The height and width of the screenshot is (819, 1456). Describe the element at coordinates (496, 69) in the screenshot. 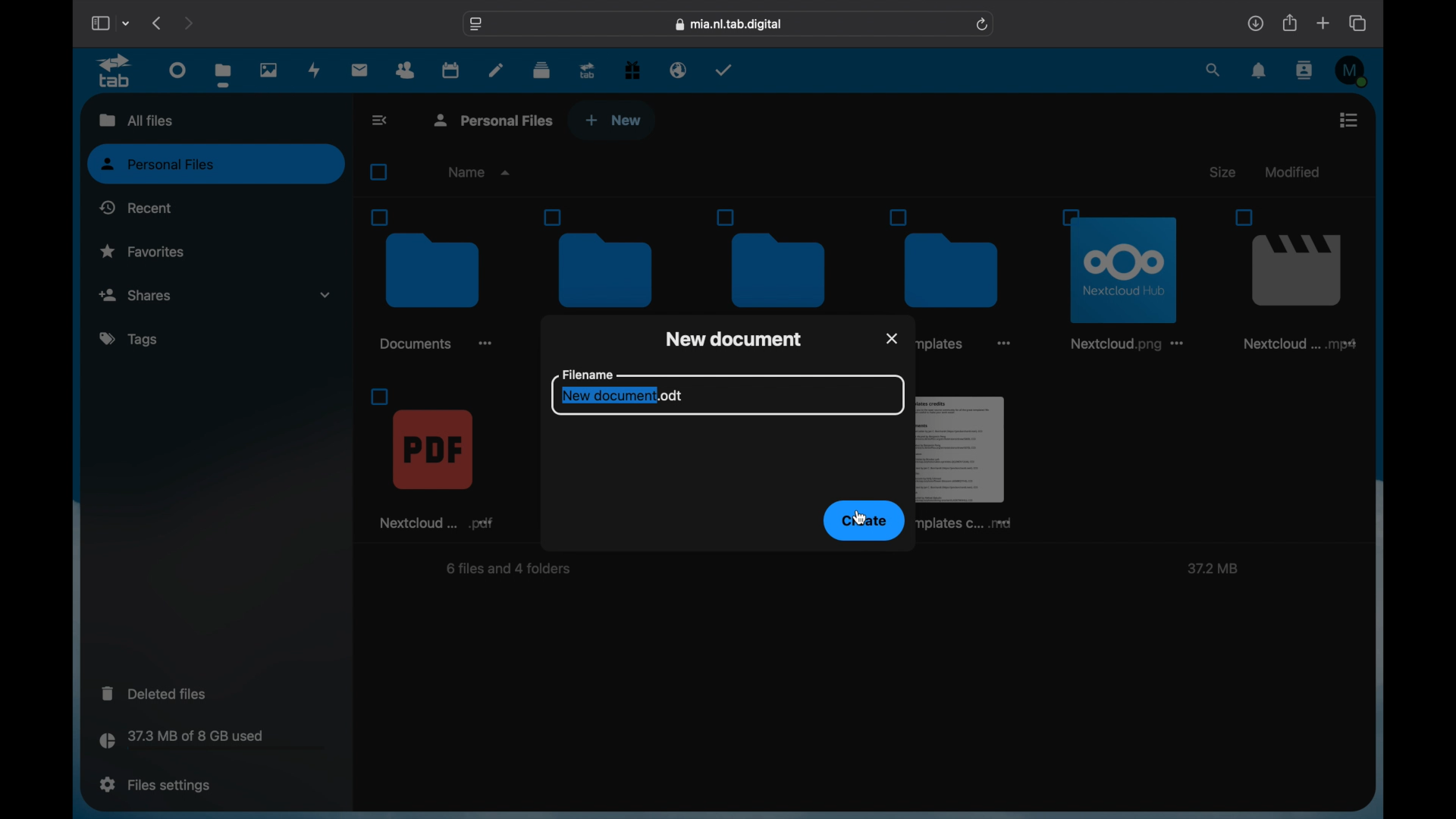

I see `notes` at that location.